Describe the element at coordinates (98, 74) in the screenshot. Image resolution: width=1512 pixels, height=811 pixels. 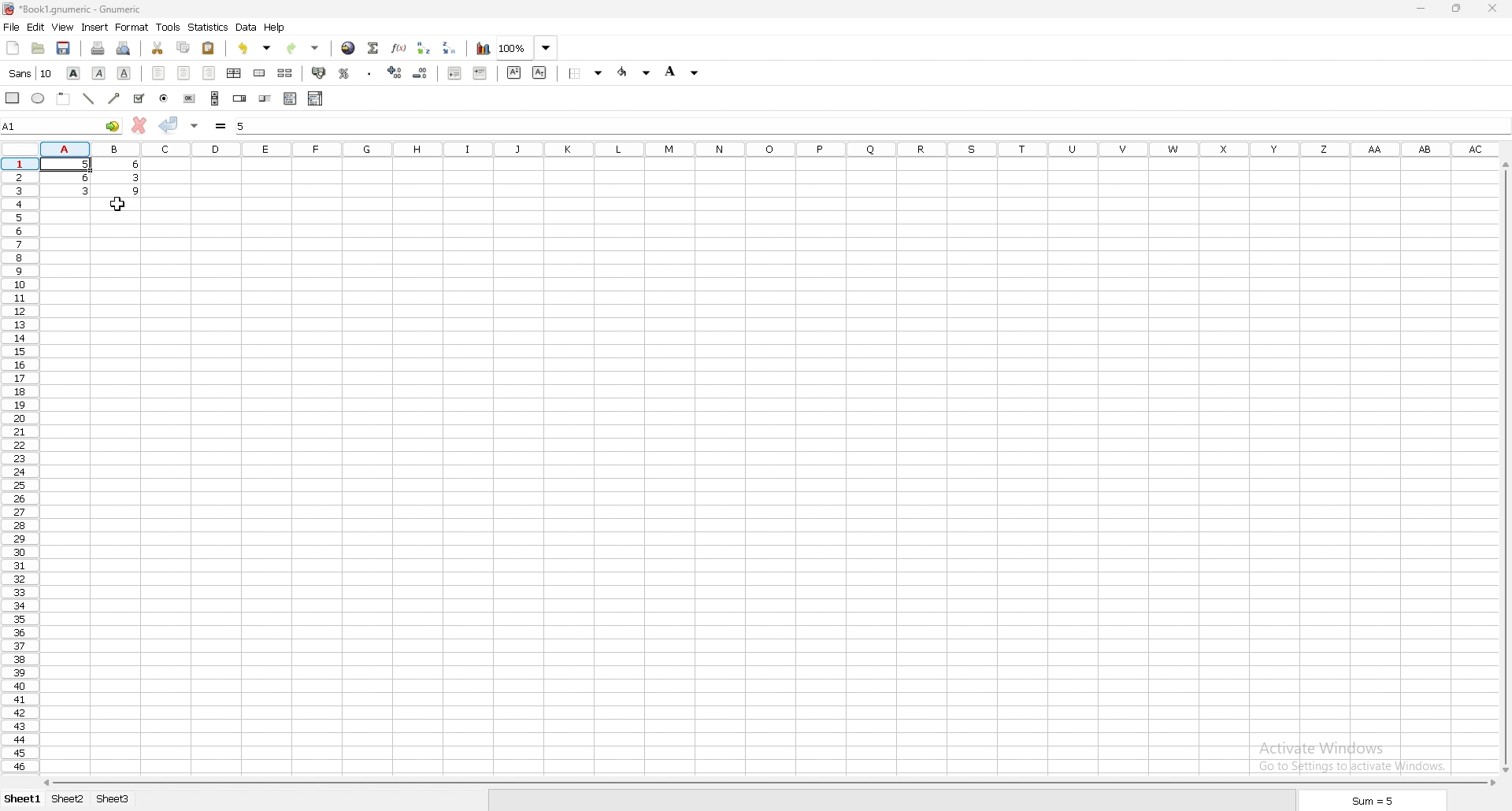
I see `italic` at that location.